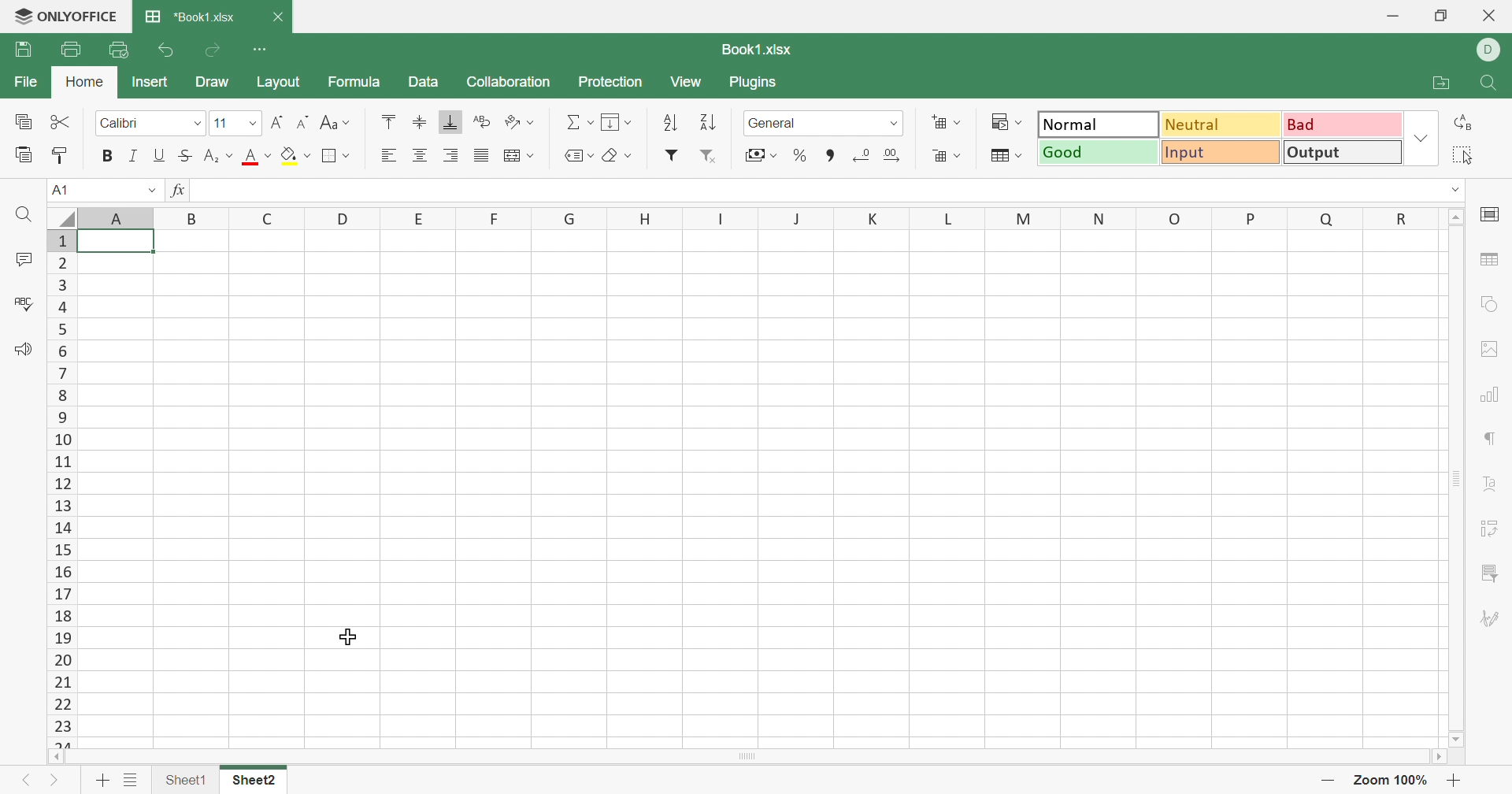 The width and height of the screenshot is (1512, 794). Describe the element at coordinates (355, 83) in the screenshot. I see `Formula` at that location.